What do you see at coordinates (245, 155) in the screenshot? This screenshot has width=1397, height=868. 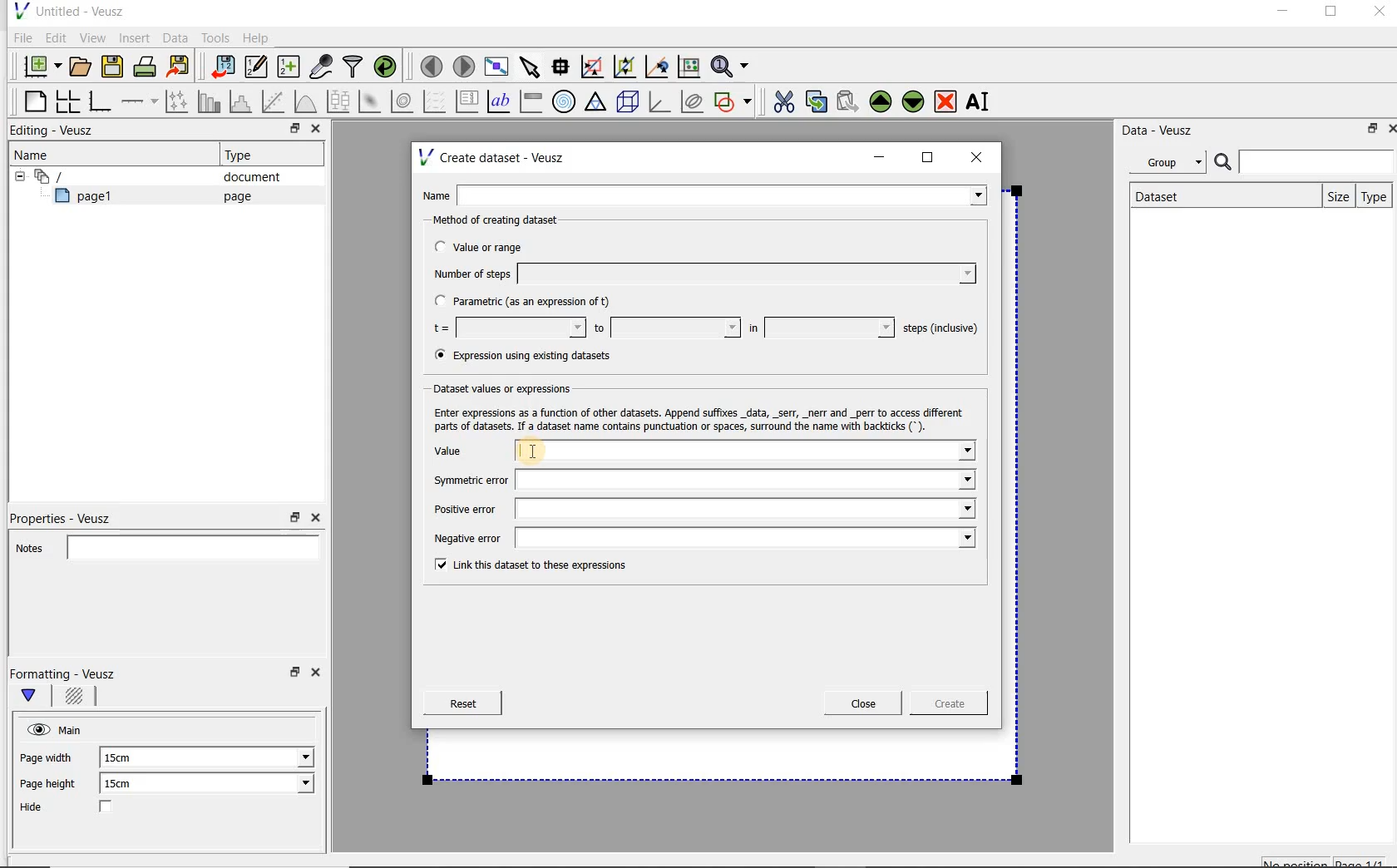 I see `Type` at bounding box center [245, 155].